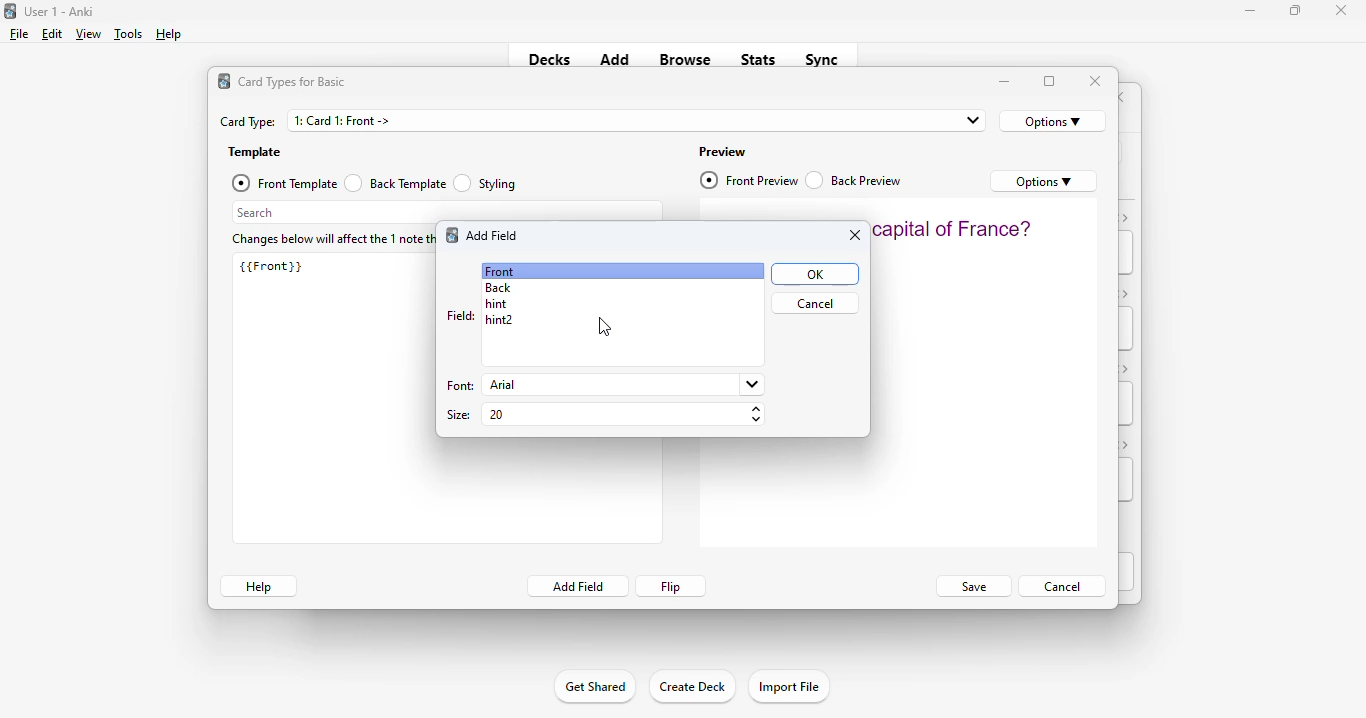 This screenshot has height=718, width=1366. Describe the element at coordinates (691, 685) in the screenshot. I see `create deck` at that location.